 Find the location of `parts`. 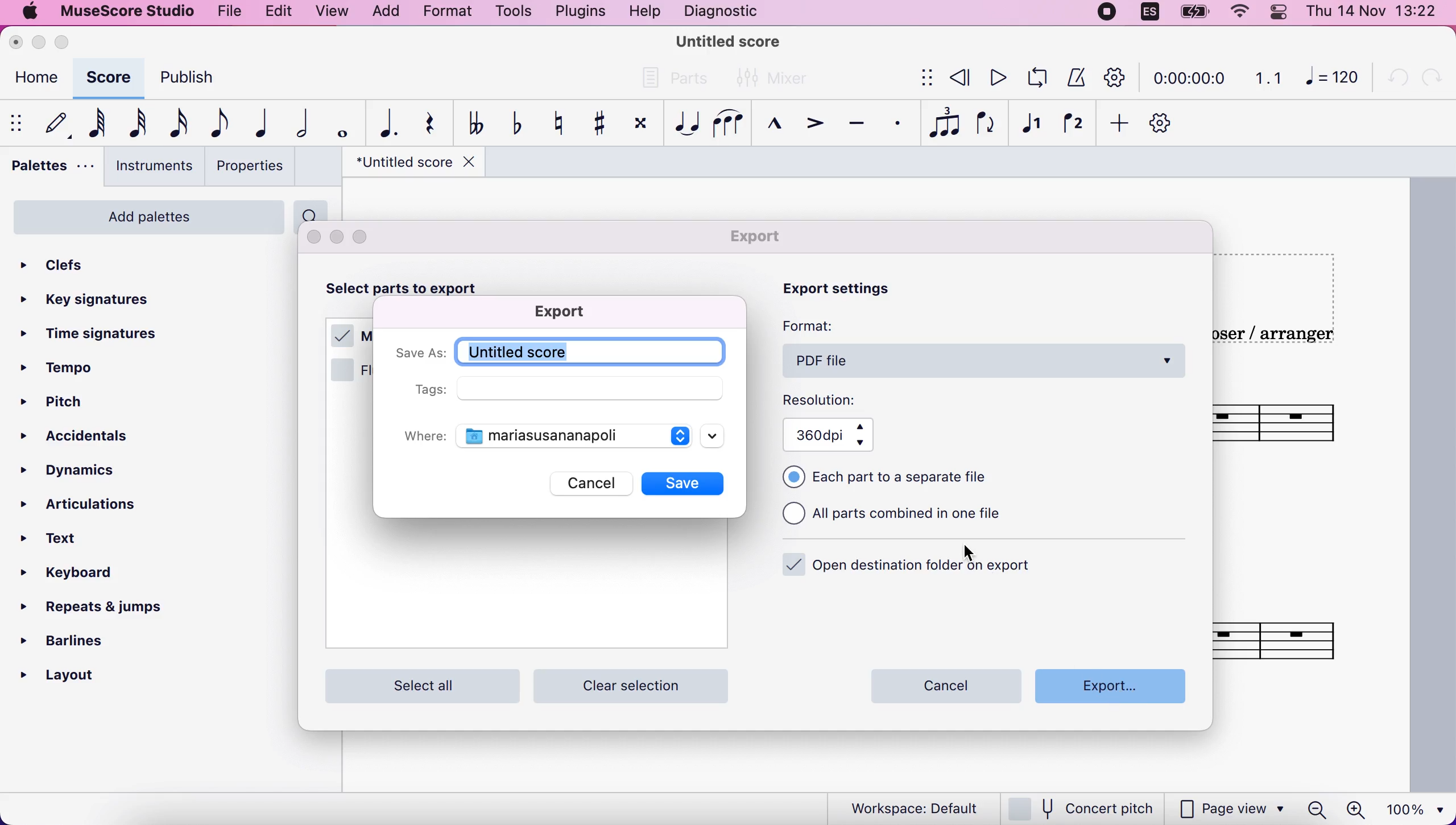

parts is located at coordinates (677, 81).